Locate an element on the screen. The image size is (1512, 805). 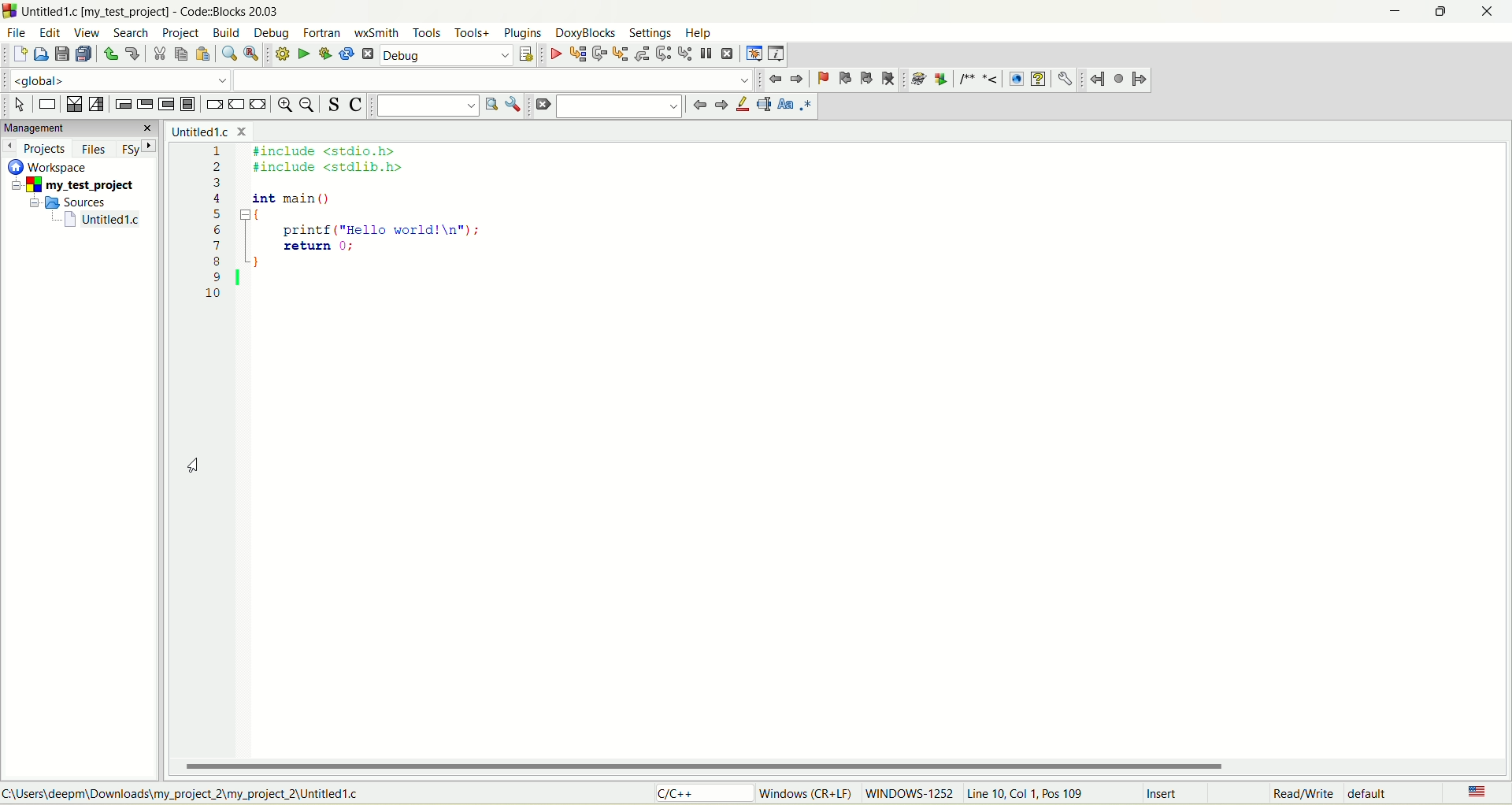
insert is located at coordinates (1162, 793).